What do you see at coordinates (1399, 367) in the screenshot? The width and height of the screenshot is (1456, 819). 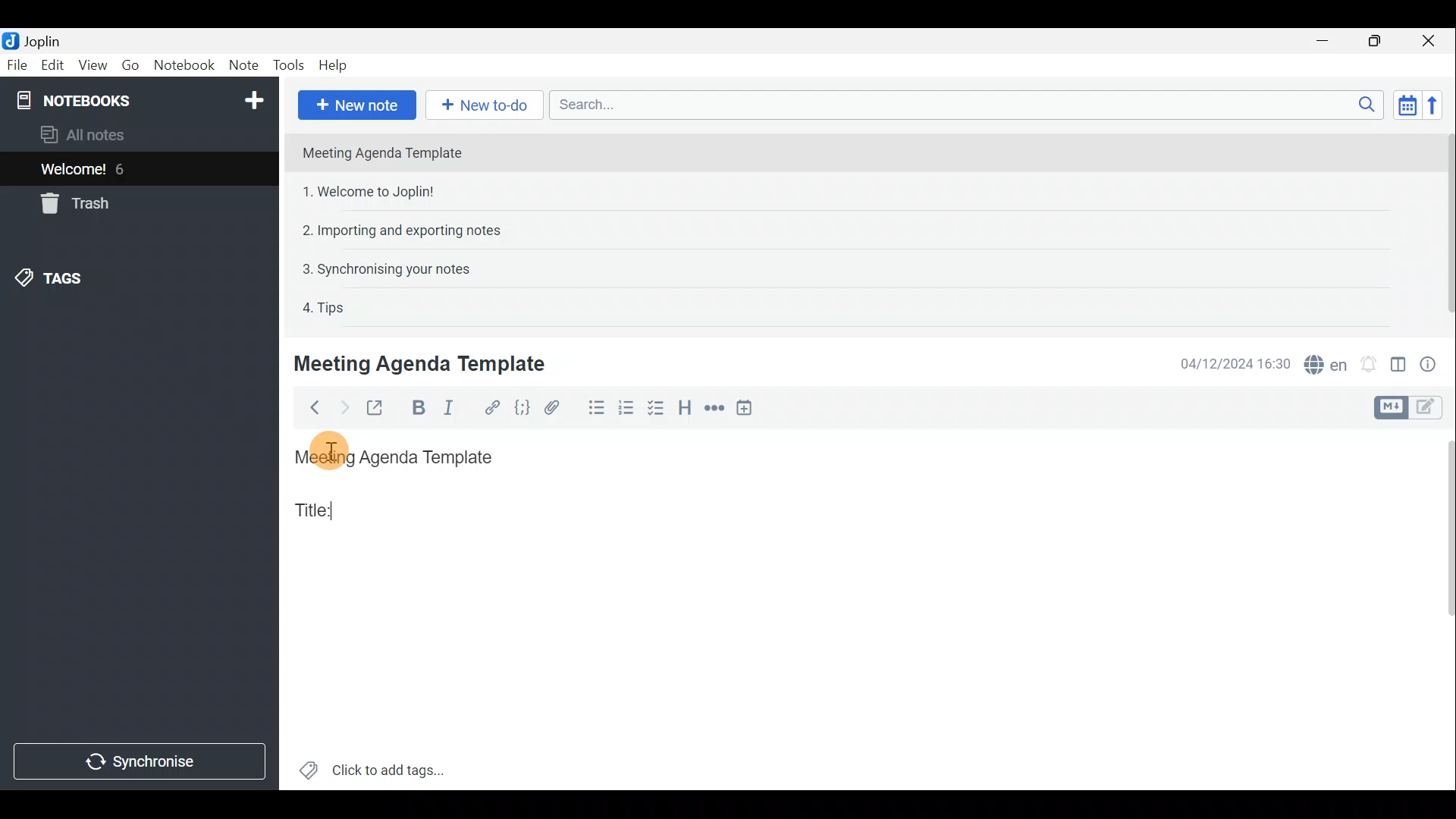 I see `Toggle editor layout` at bounding box center [1399, 367].